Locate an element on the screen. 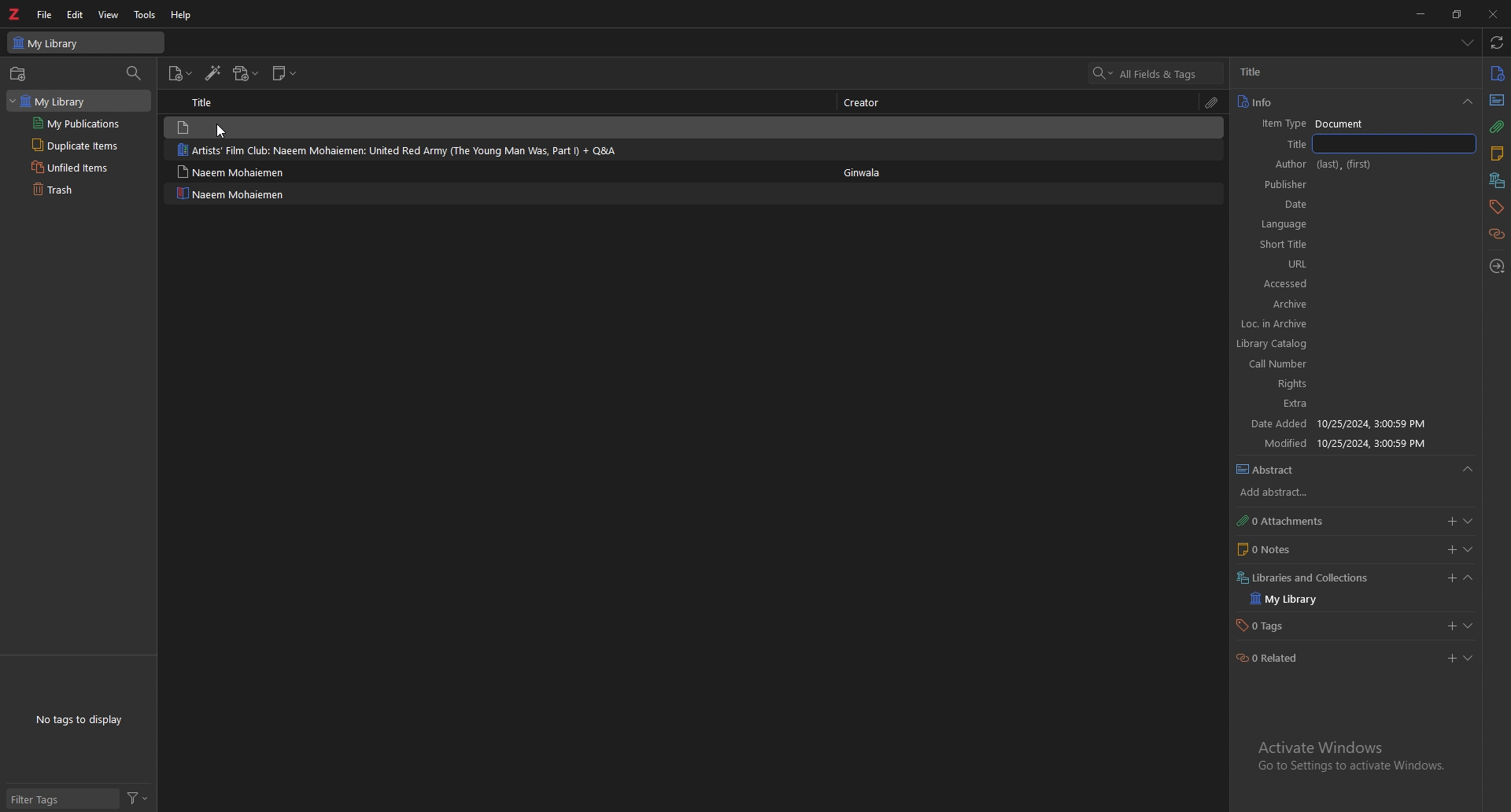  new note is located at coordinates (286, 73).